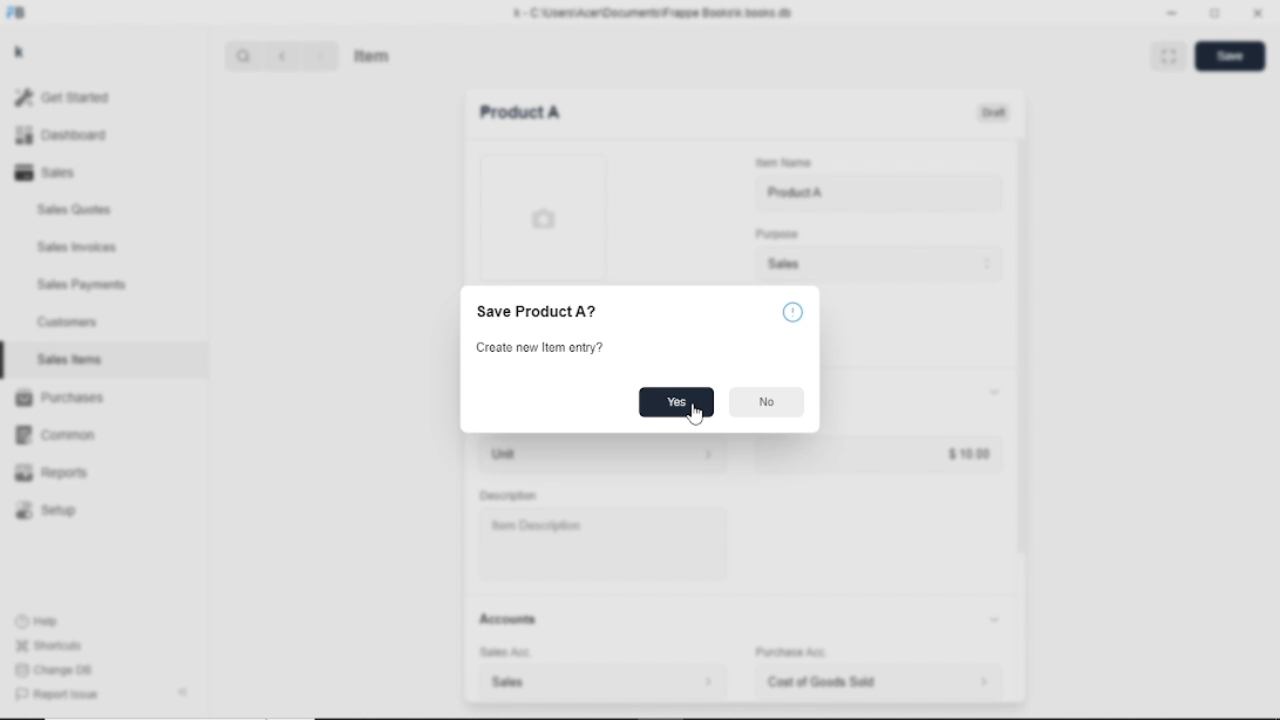 This screenshot has height=720, width=1280. I want to click on Next, so click(319, 56).